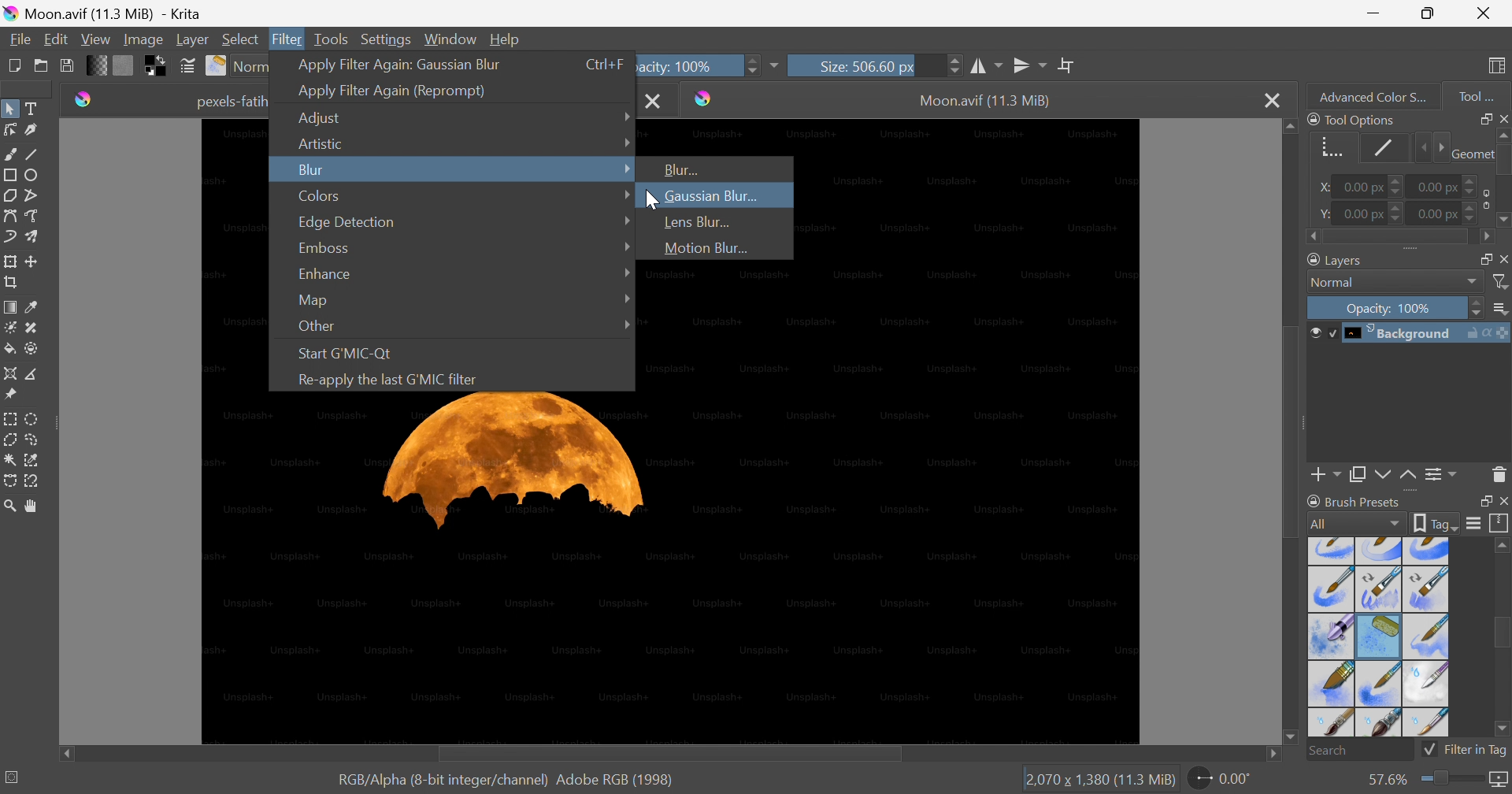 The width and height of the screenshot is (1512, 794). Describe the element at coordinates (344, 354) in the screenshot. I see `Start G'MIC -Qt` at that location.